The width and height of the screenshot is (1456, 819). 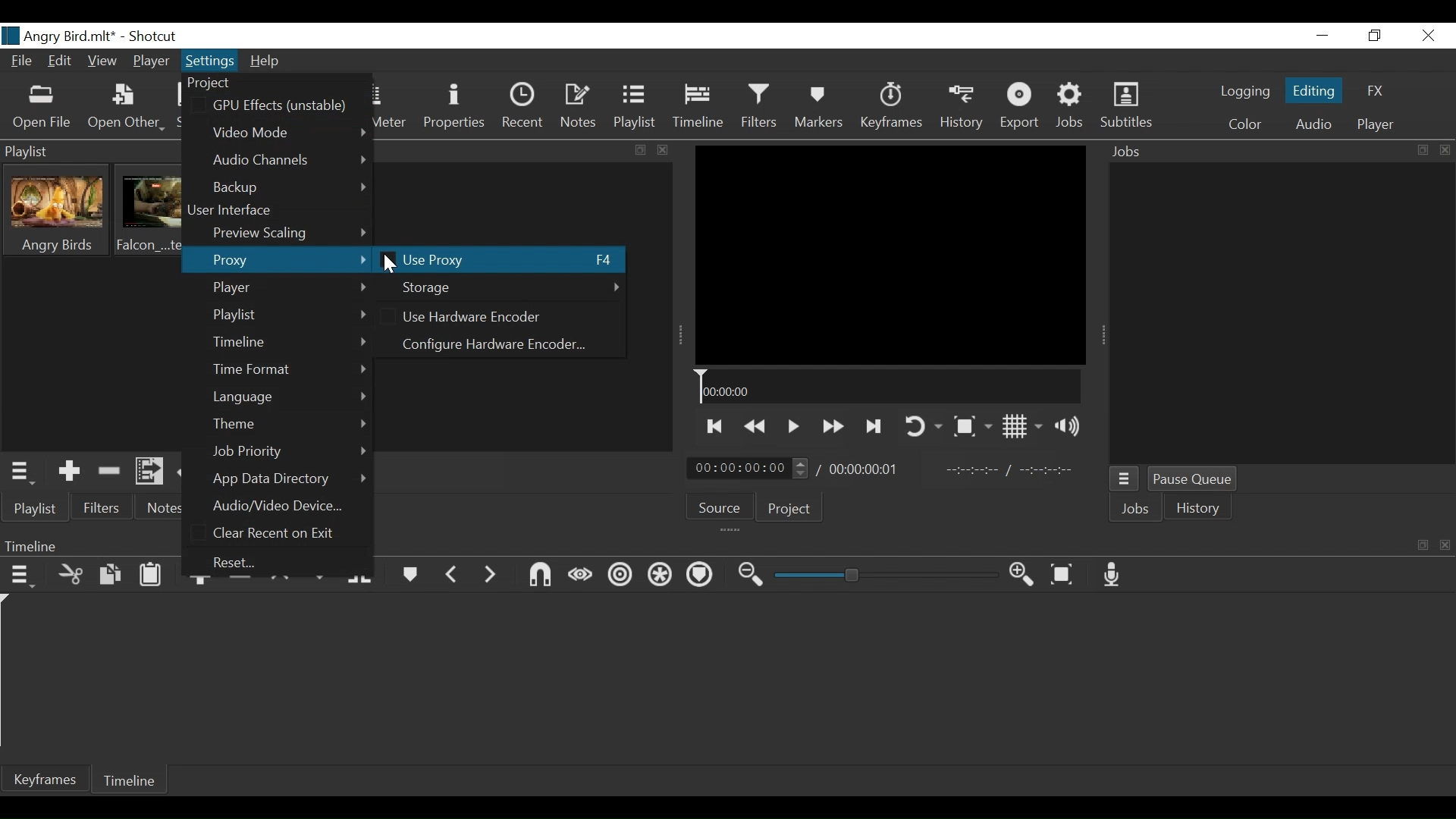 What do you see at coordinates (290, 396) in the screenshot?
I see `Language` at bounding box center [290, 396].